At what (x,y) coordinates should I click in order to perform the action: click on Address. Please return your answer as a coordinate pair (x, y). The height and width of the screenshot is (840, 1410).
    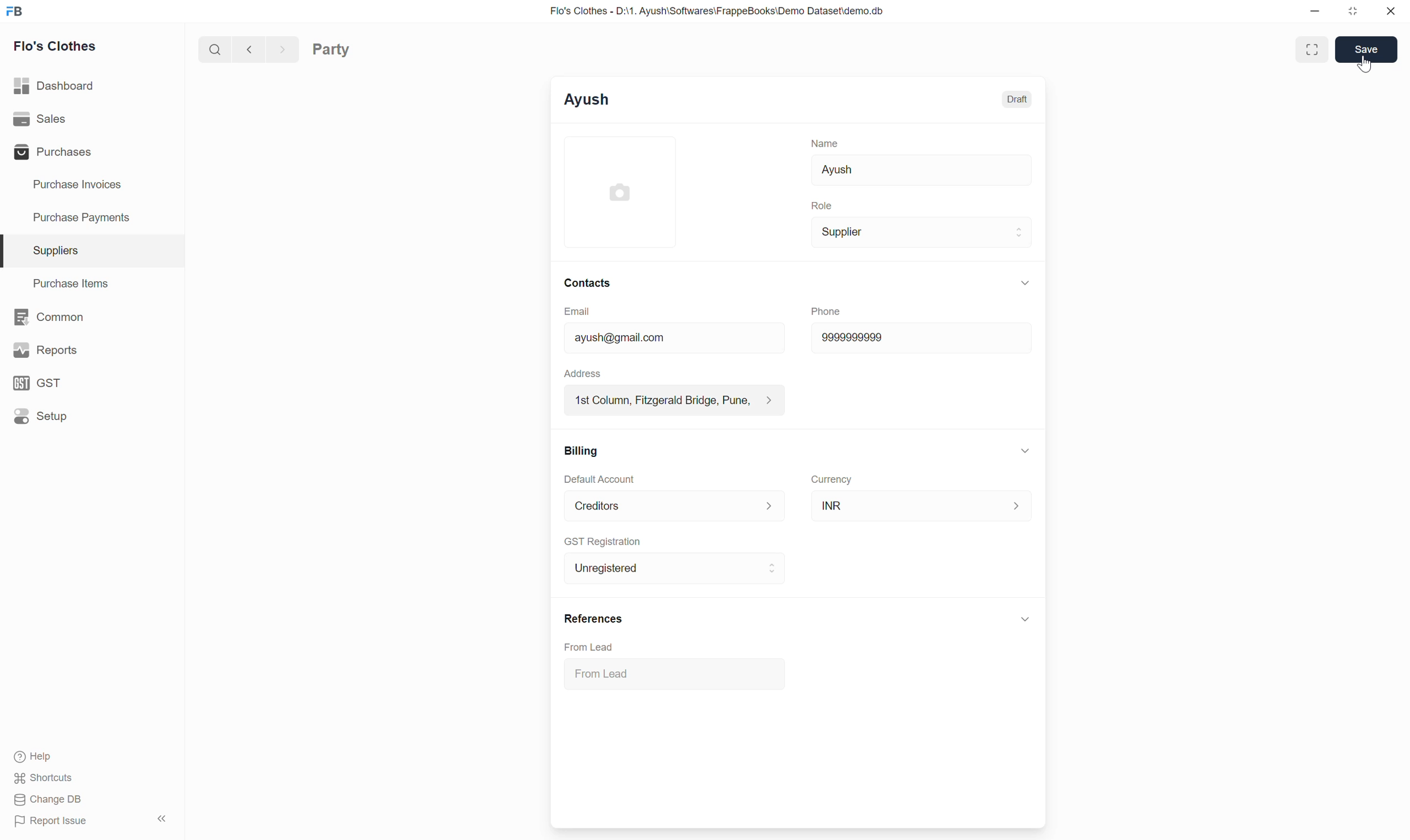
    Looking at the image, I should click on (674, 400).